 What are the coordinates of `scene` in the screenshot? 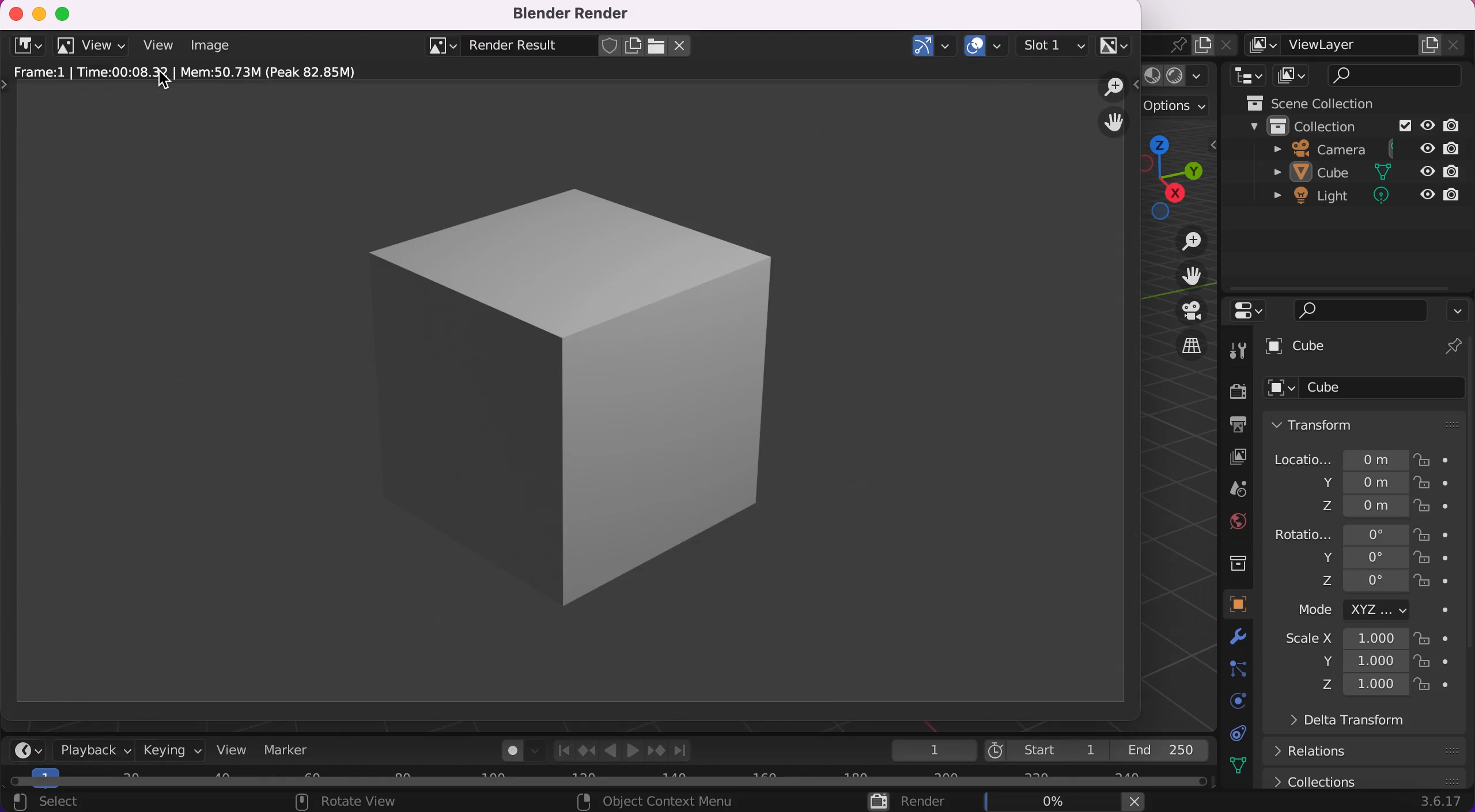 It's located at (1230, 488).